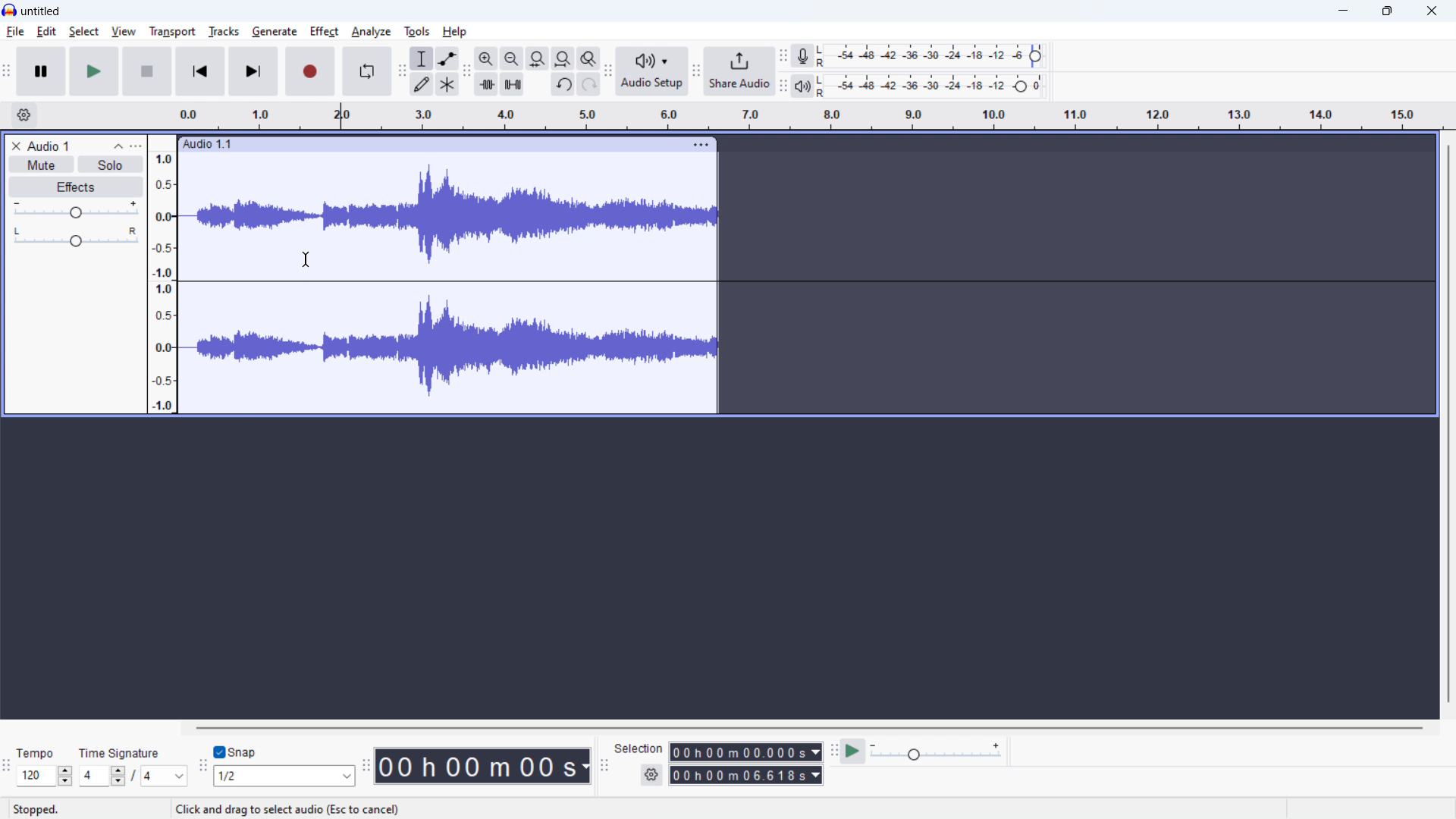  Describe the element at coordinates (852, 752) in the screenshot. I see `play at speed ` at that location.